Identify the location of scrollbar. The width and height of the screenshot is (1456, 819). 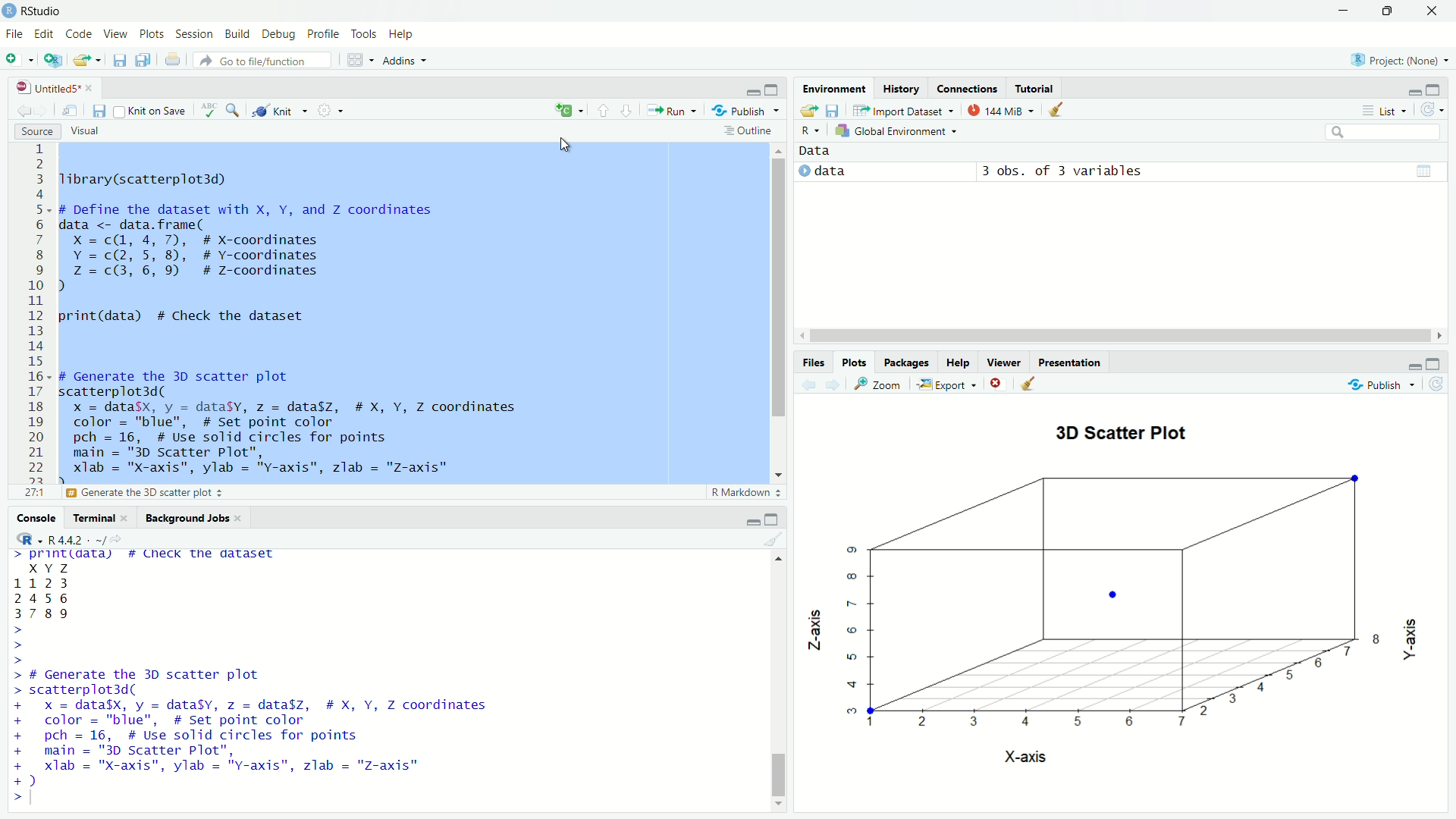
(780, 682).